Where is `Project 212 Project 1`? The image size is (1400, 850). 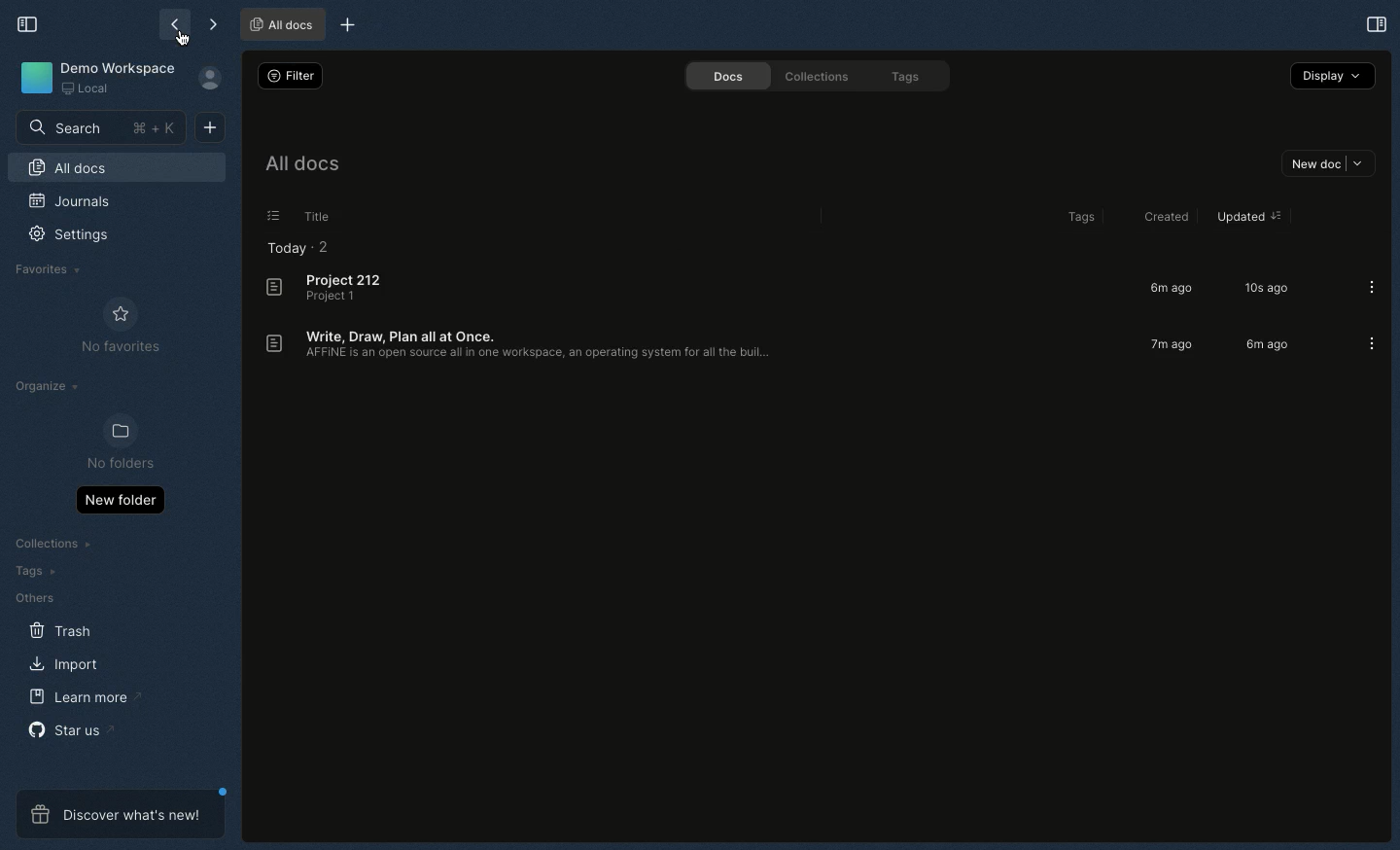 Project 212 Project 1 is located at coordinates (339, 291).